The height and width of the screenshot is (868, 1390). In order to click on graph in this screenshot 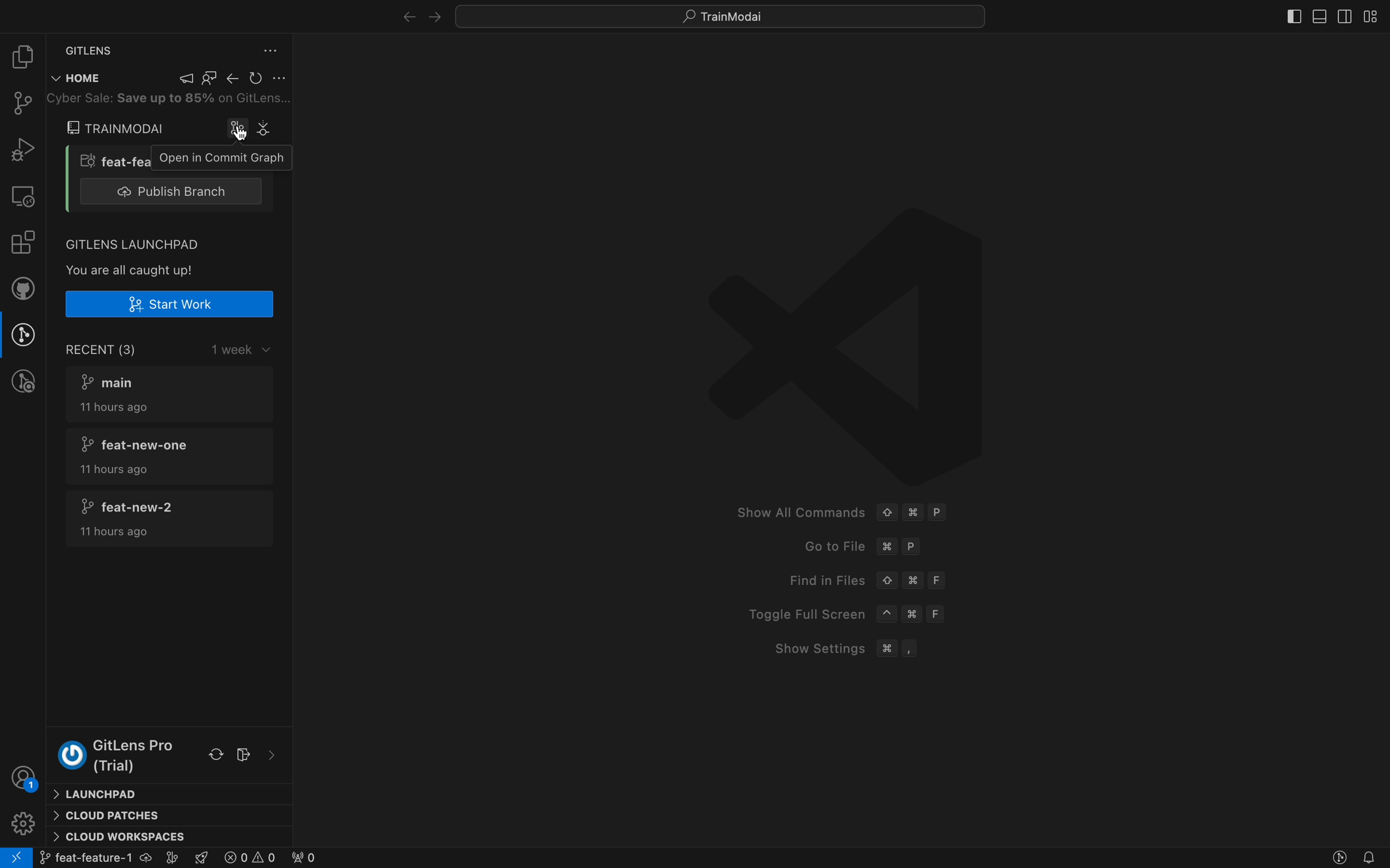, I will do `click(269, 127)`.